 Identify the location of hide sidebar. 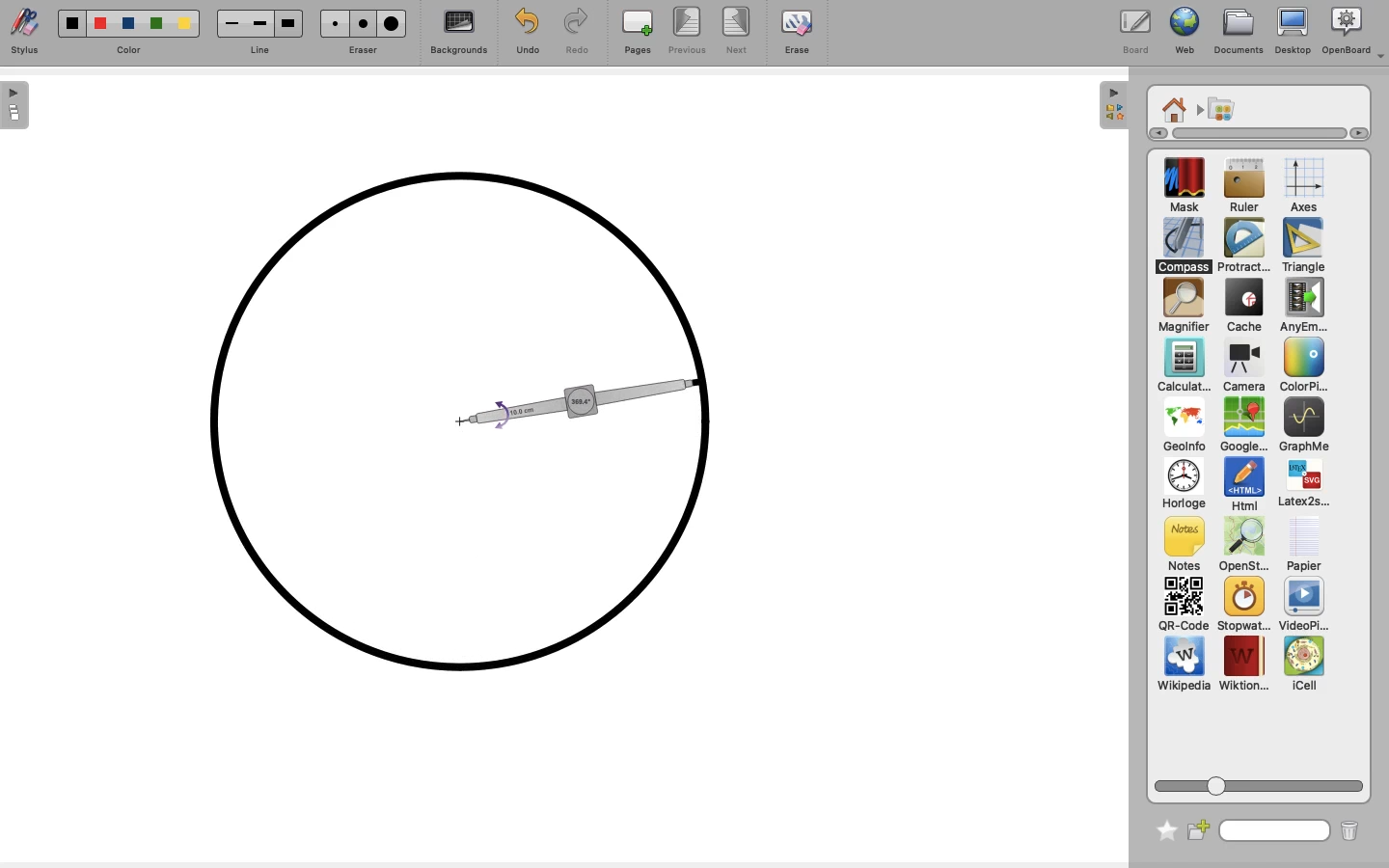
(1111, 105).